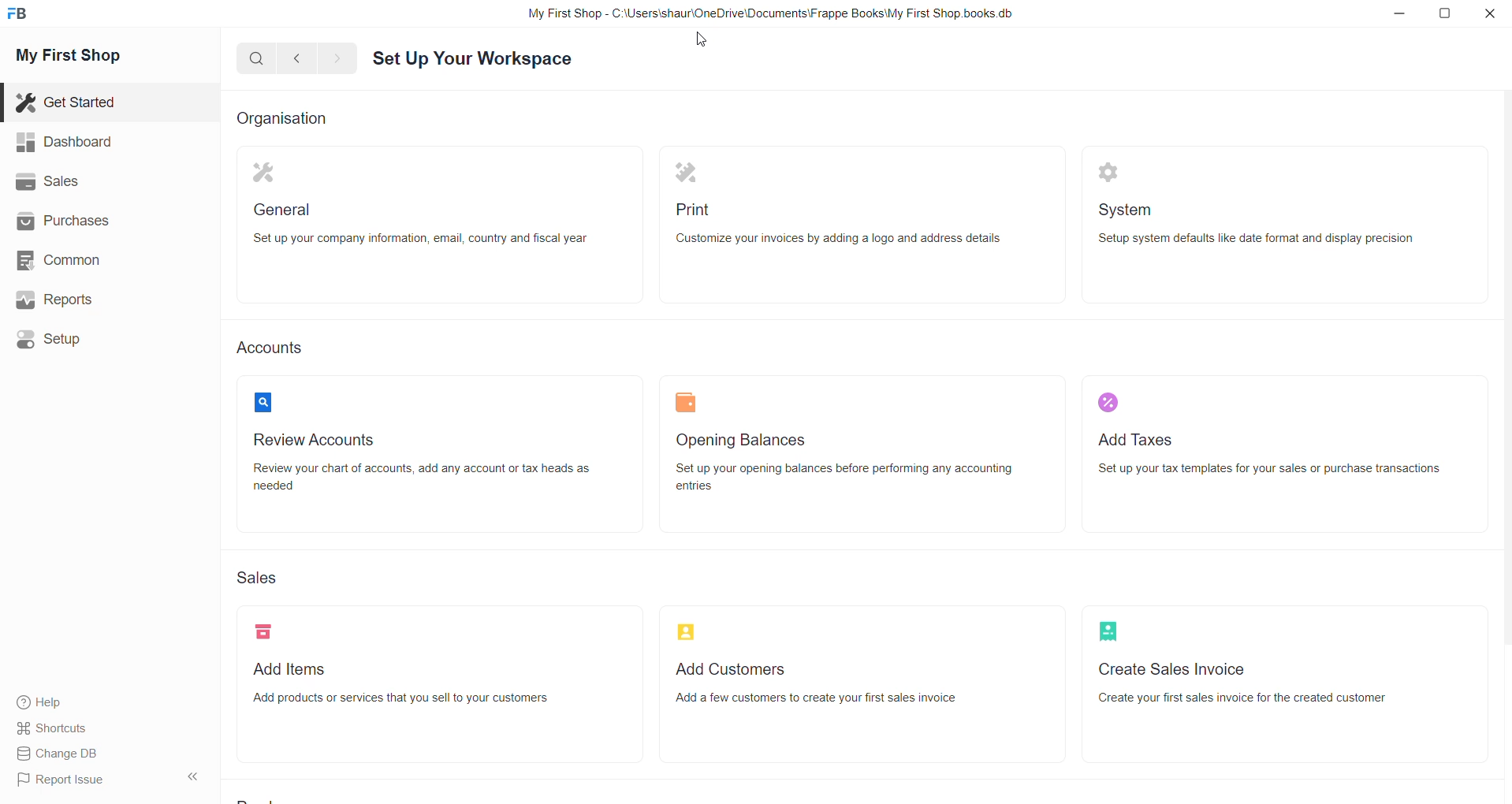 The width and height of the screenshot is (1512, 804). Describe the element at coordinates (415, 678) in the screenshot. I see `Add item` at that location.